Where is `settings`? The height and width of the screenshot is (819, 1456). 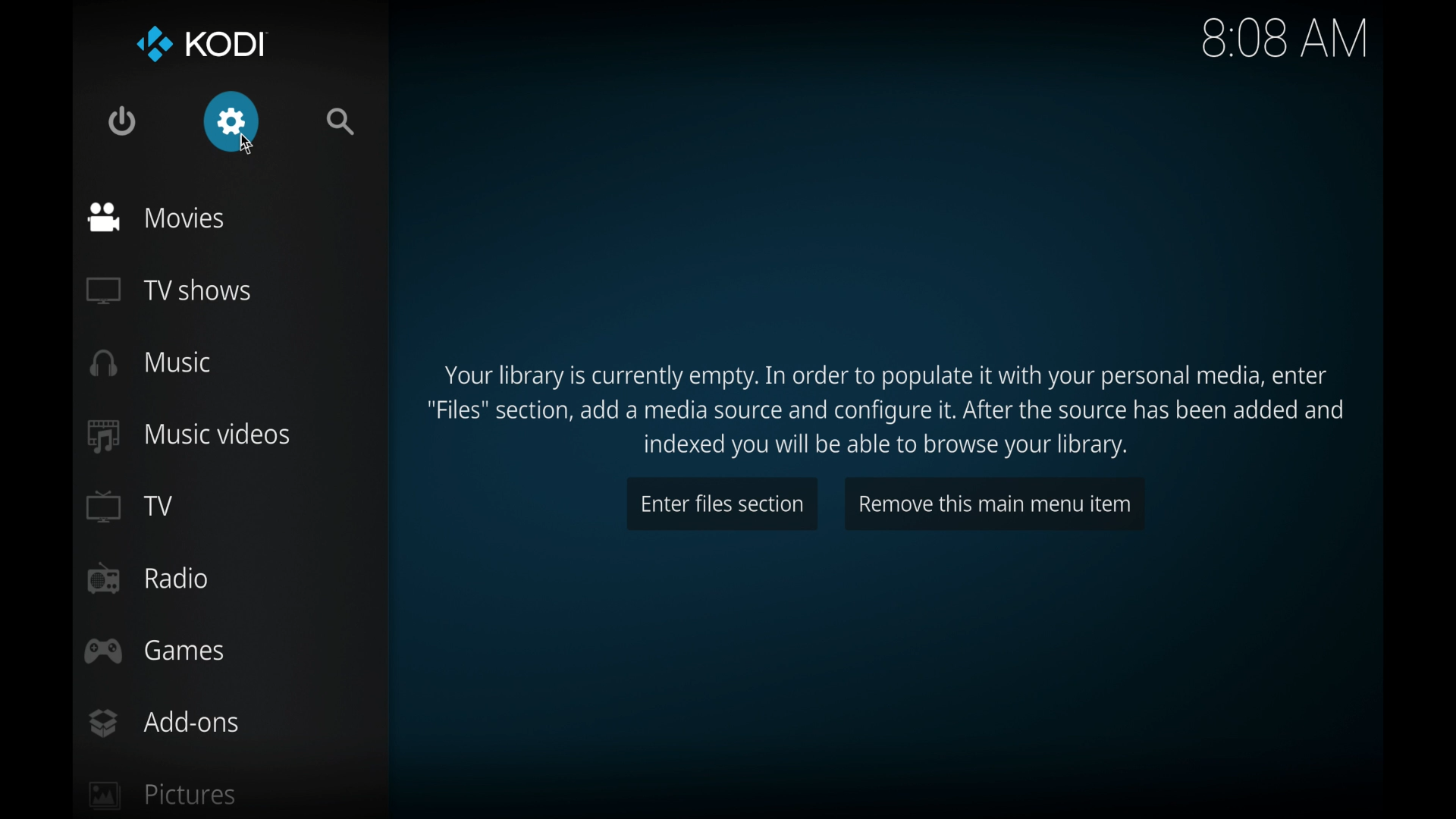
settings is located at coordinates (231, 121).